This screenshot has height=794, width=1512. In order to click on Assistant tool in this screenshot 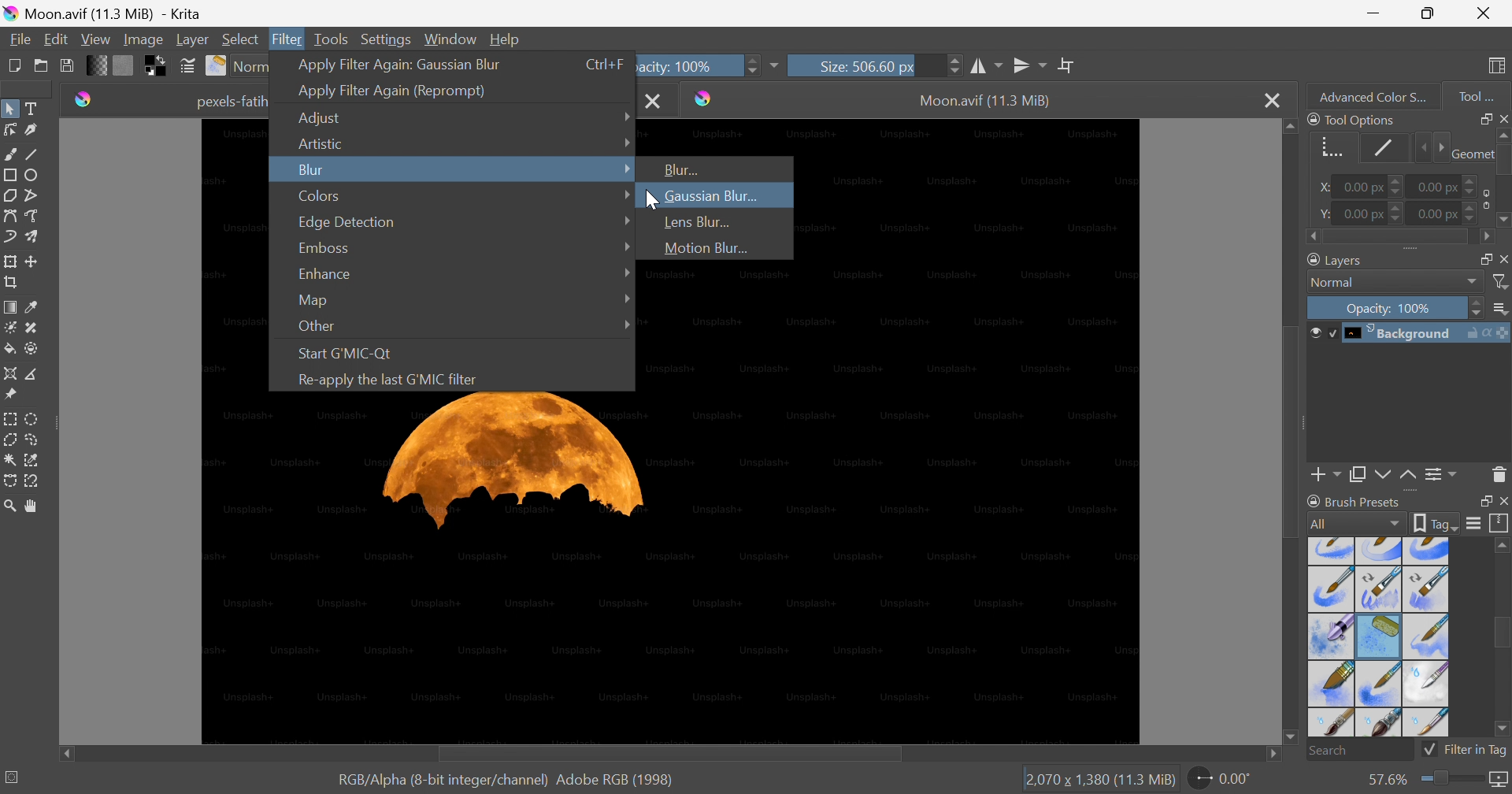, I will do `click(9, 373)`.